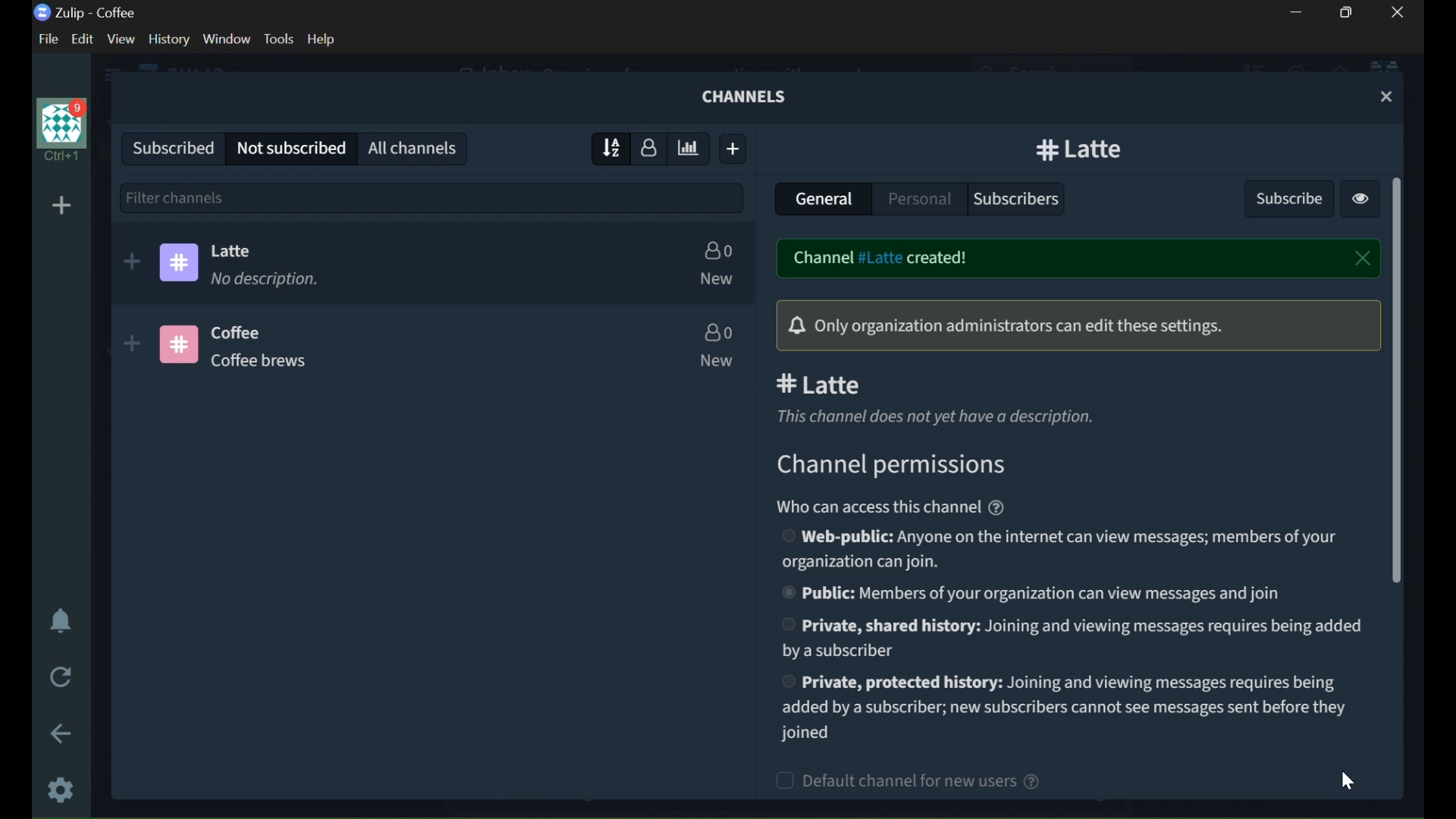 Image resolution: width=1456 pixels, height=819 pixels. Describe the element at coordinates (718, 361) in the screenshot. I see `NEW` at that location.